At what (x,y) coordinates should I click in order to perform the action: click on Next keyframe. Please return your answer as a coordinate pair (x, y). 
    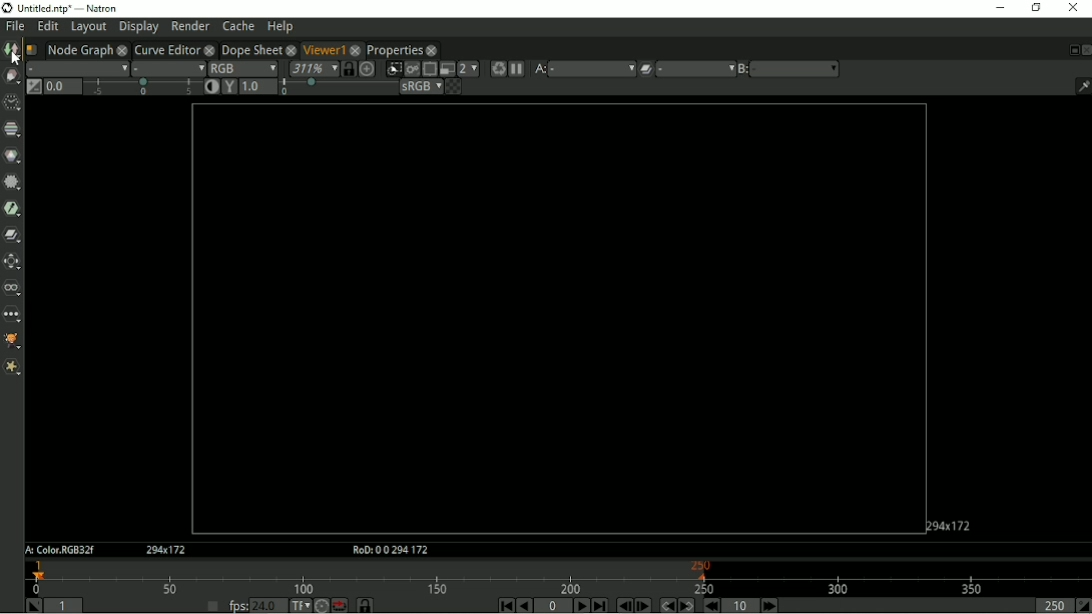
    Looking at the image, I should click on (687, 605).